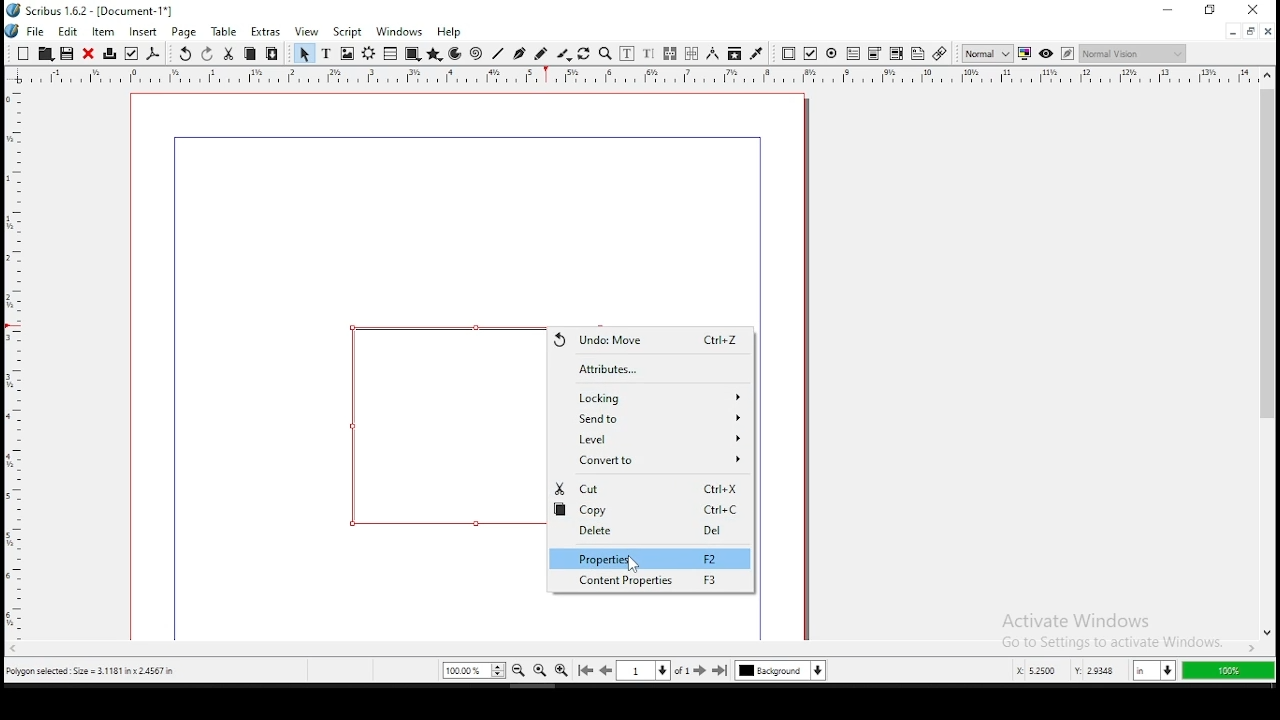  I want to click on go to first page, so click(585, 671).